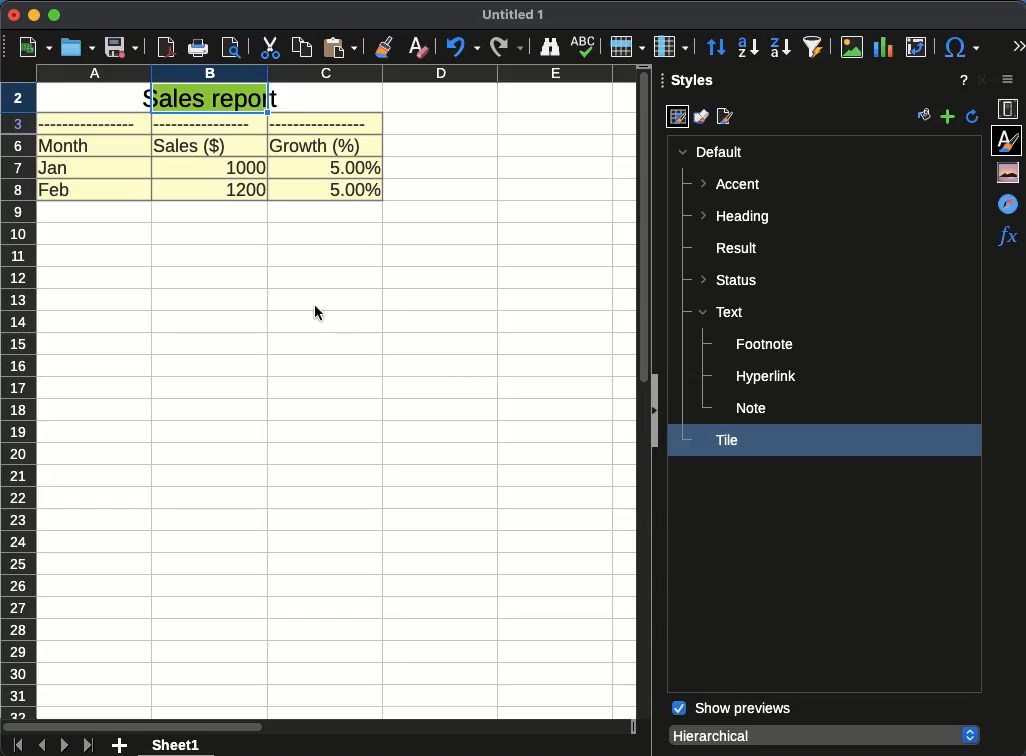 This screenshot has width=1026, height=756. What do you see at coordinates (56, 166) in the screenshot?
I see `jan` at bounding box center [56, 166].